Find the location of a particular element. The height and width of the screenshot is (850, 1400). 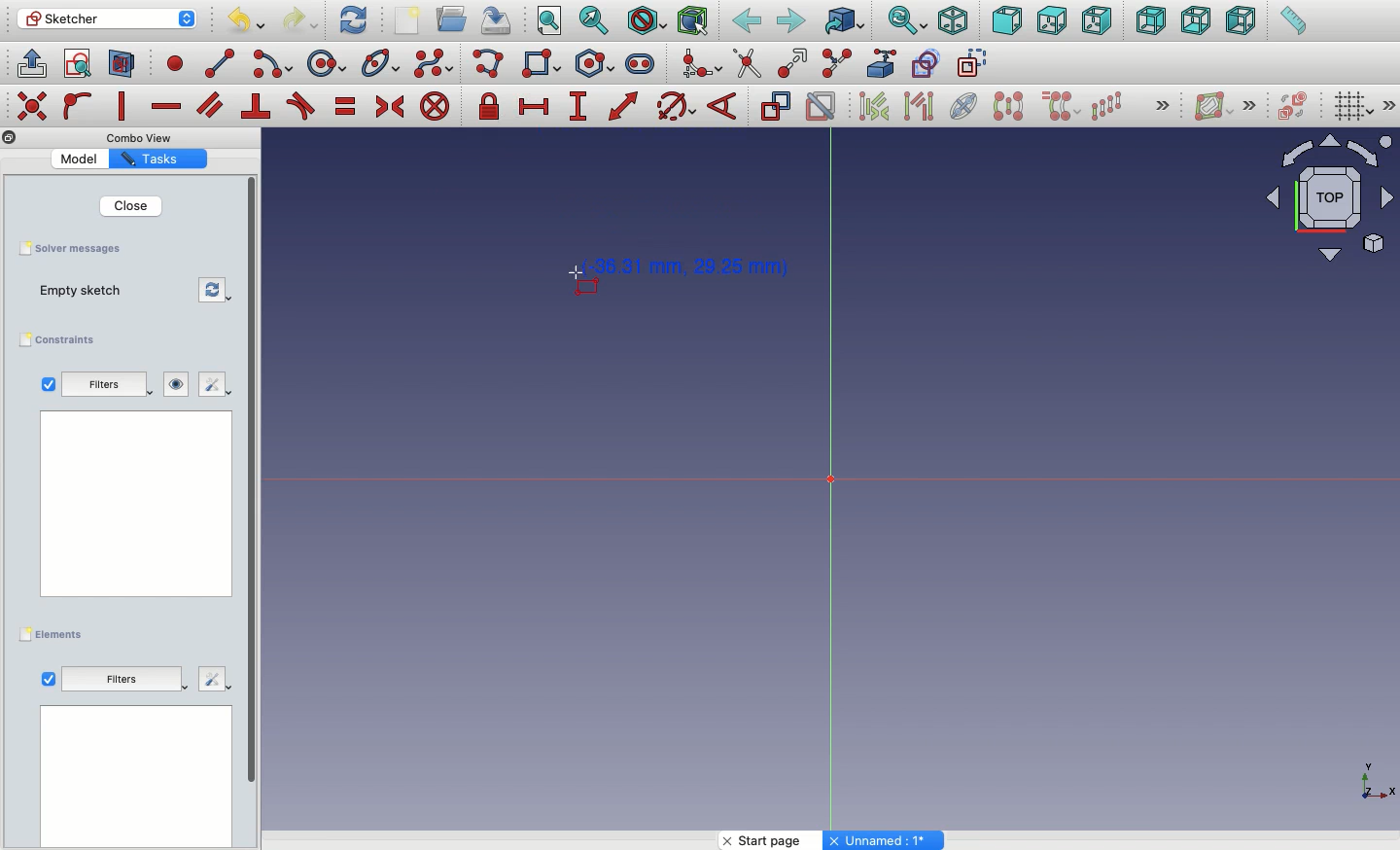

Create fillet is located at coordinates (700, 65).